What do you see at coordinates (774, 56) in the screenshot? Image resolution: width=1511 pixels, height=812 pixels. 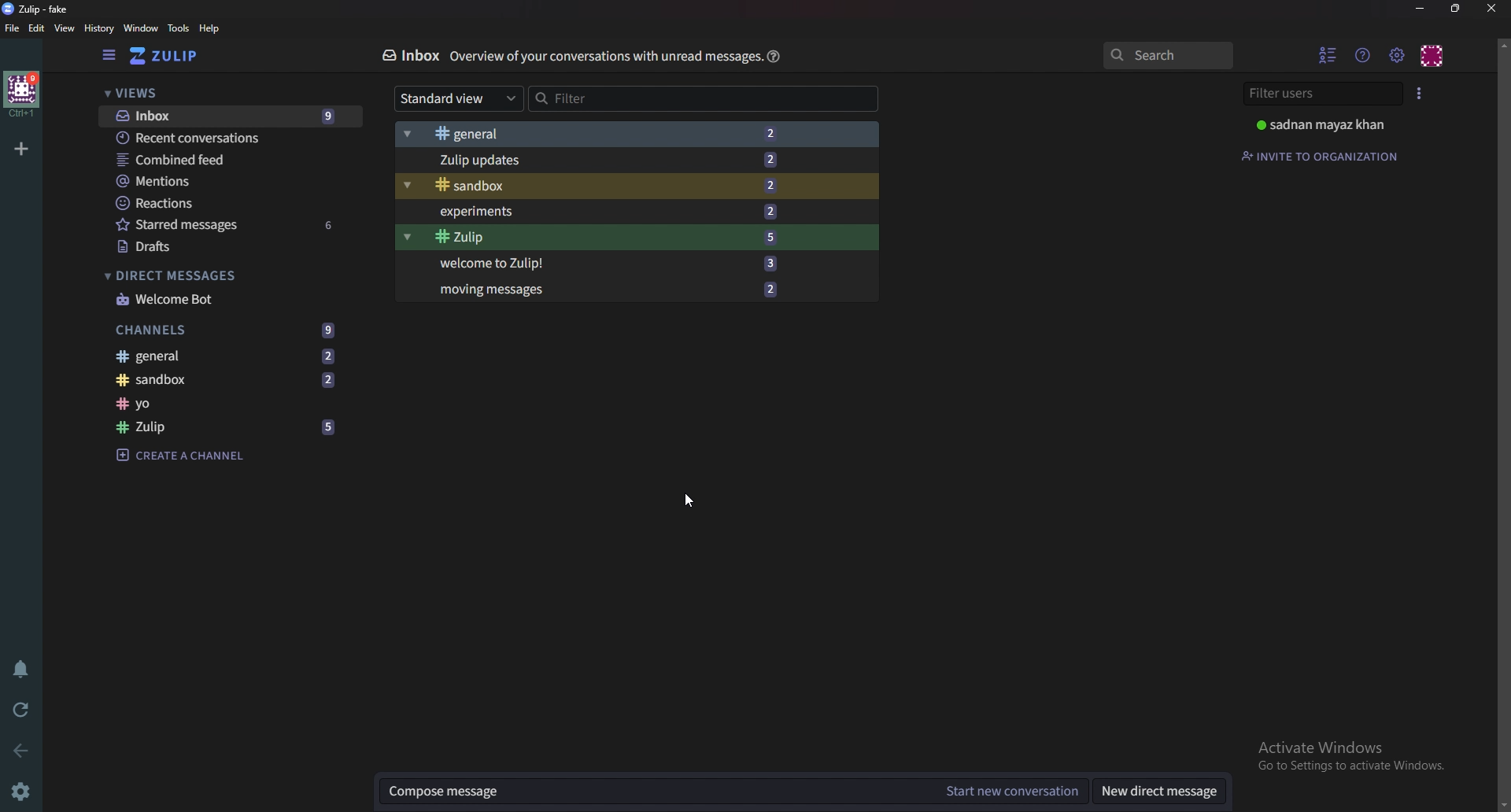 I see `help` at bounding box center [774, 56].